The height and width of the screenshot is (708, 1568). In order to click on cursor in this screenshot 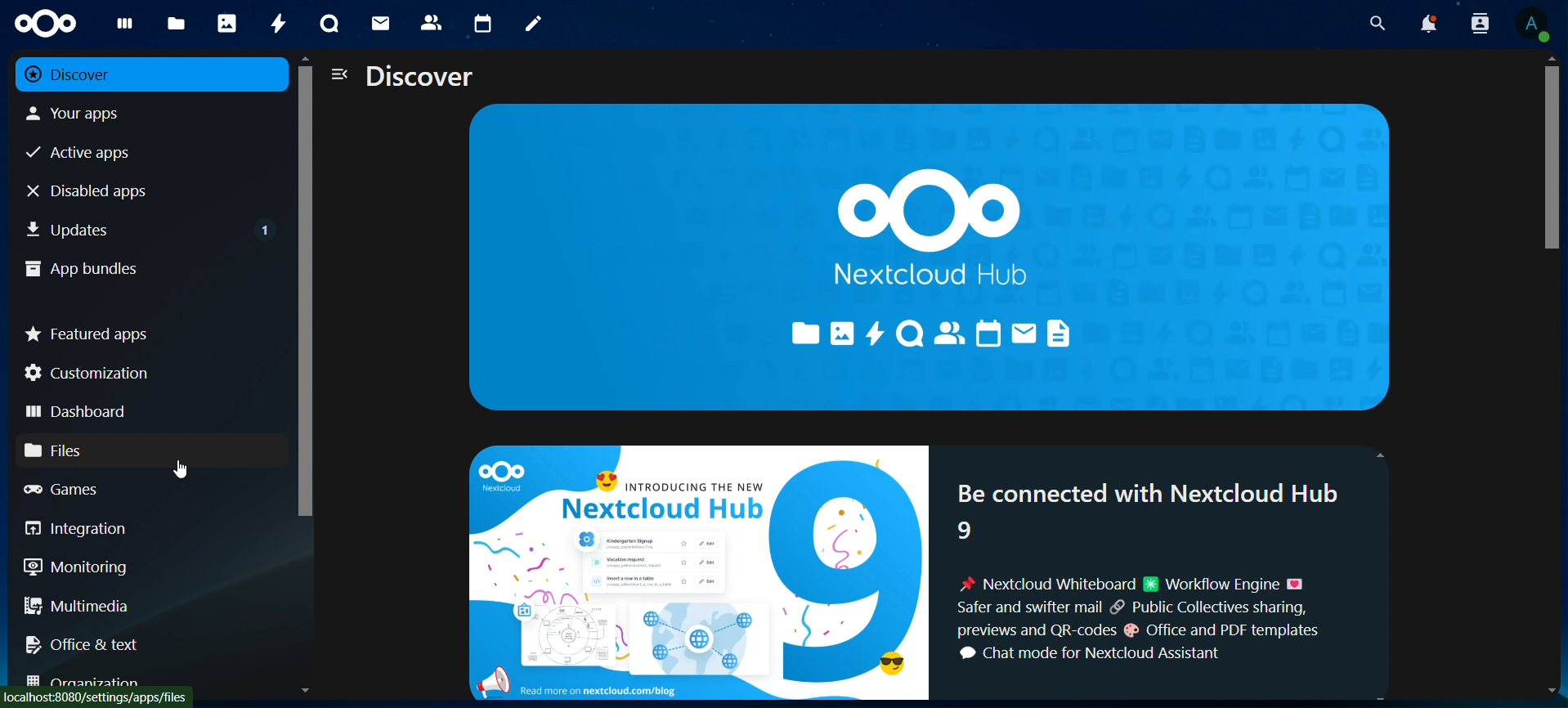, I will do `click(304, 383)`.